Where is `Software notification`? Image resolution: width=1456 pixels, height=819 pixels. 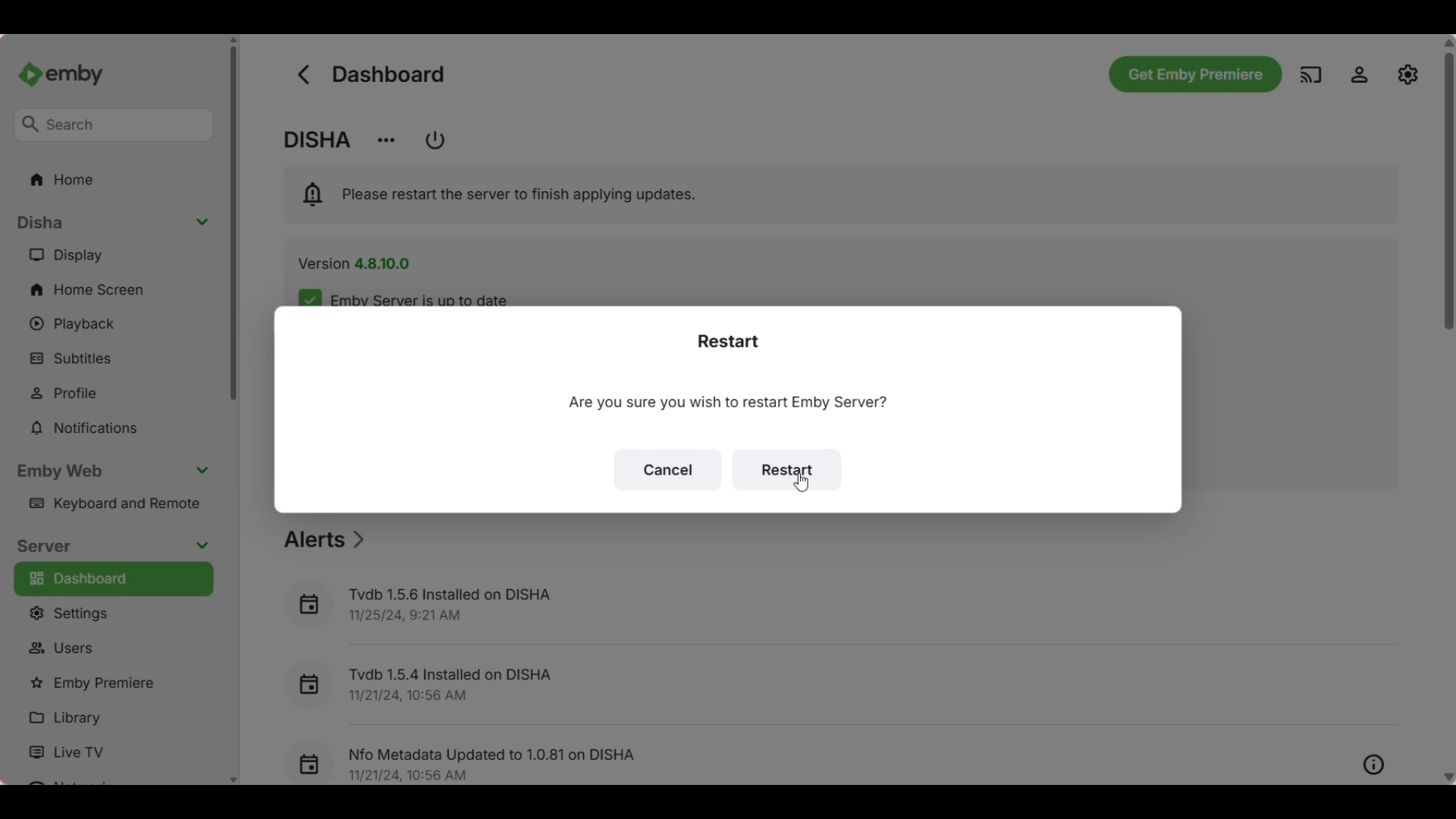 Software notification is located at coordinates (497, 194).